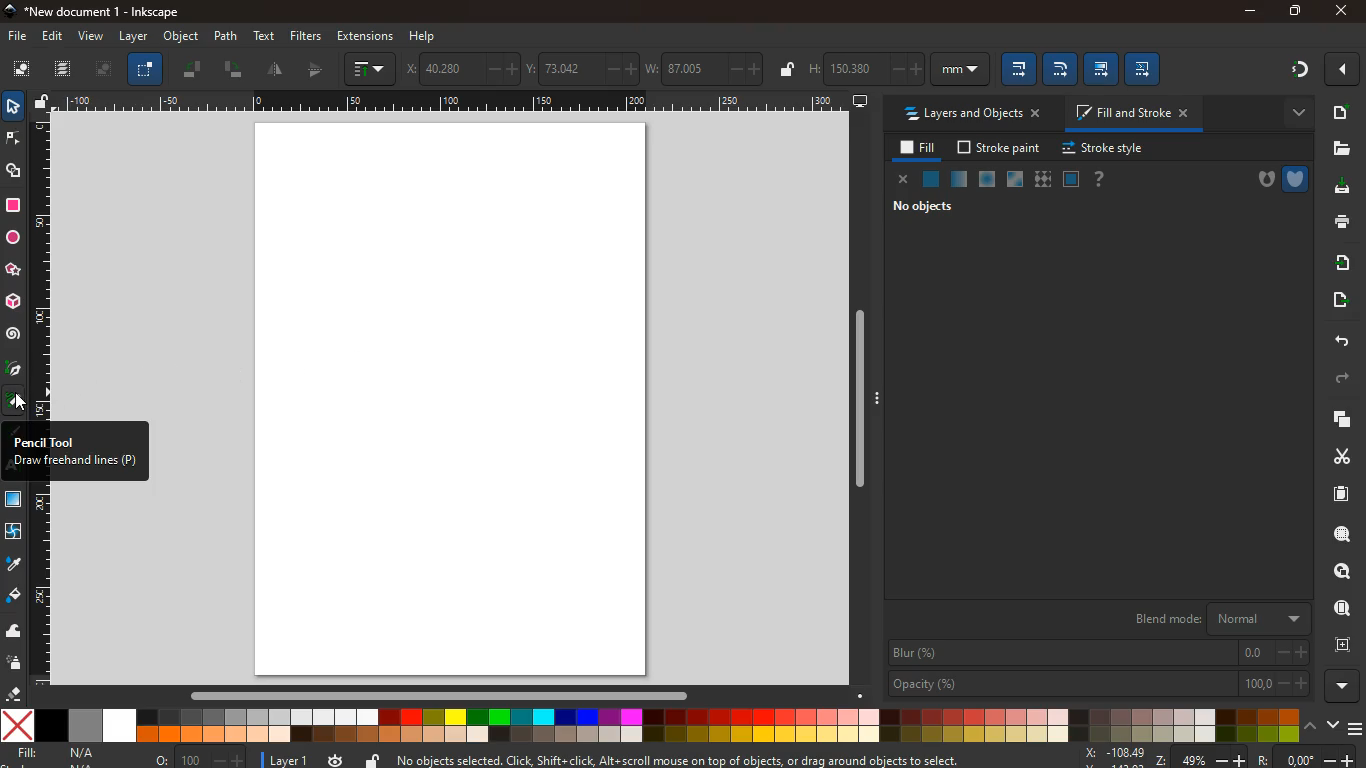  What do you see at coordinates (1060, 69) in the screenshot?
I see `edit` at bounding box center [1060, 69].